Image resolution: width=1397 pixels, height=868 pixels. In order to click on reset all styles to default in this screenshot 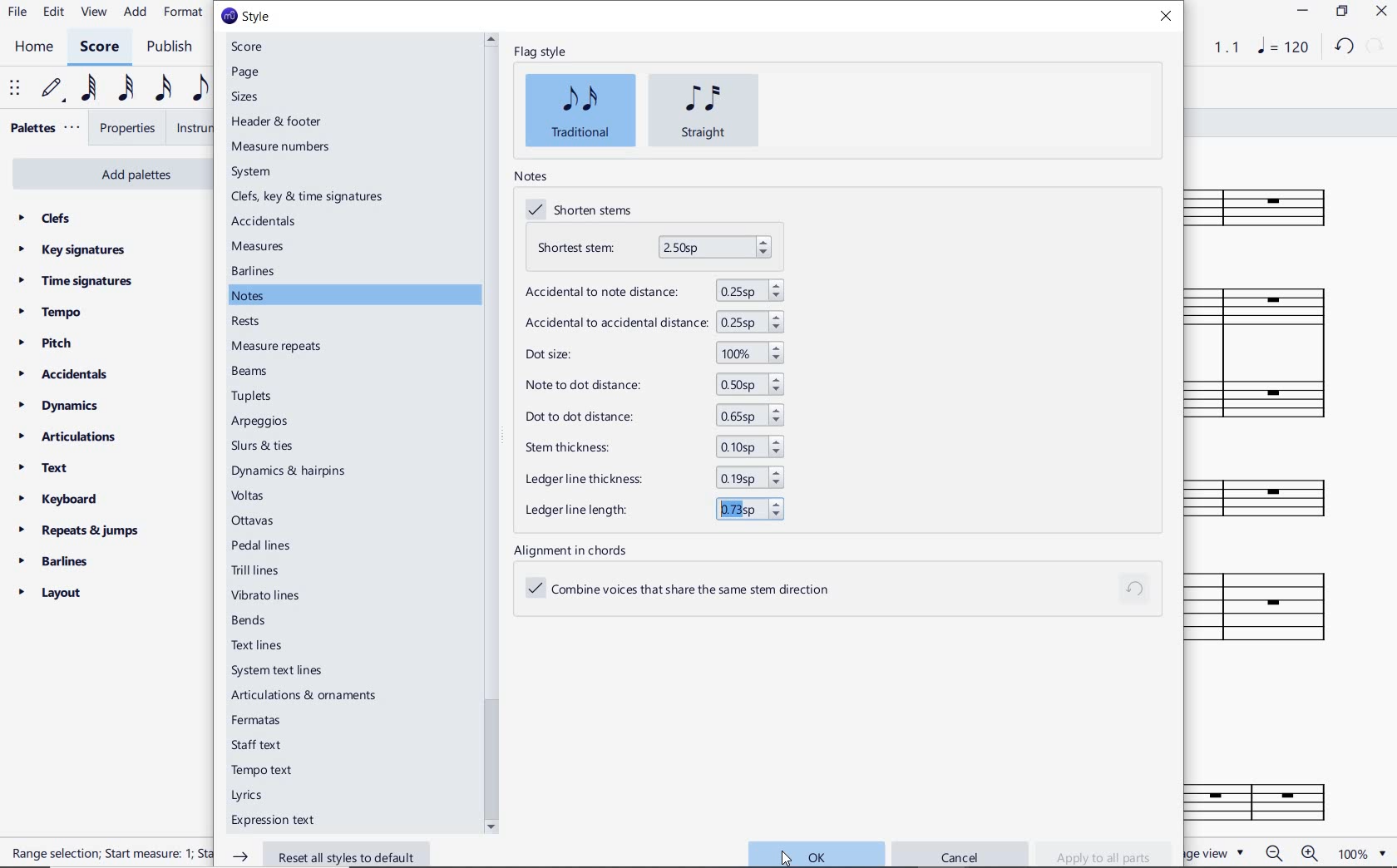, I will do `click(327, 855)`.